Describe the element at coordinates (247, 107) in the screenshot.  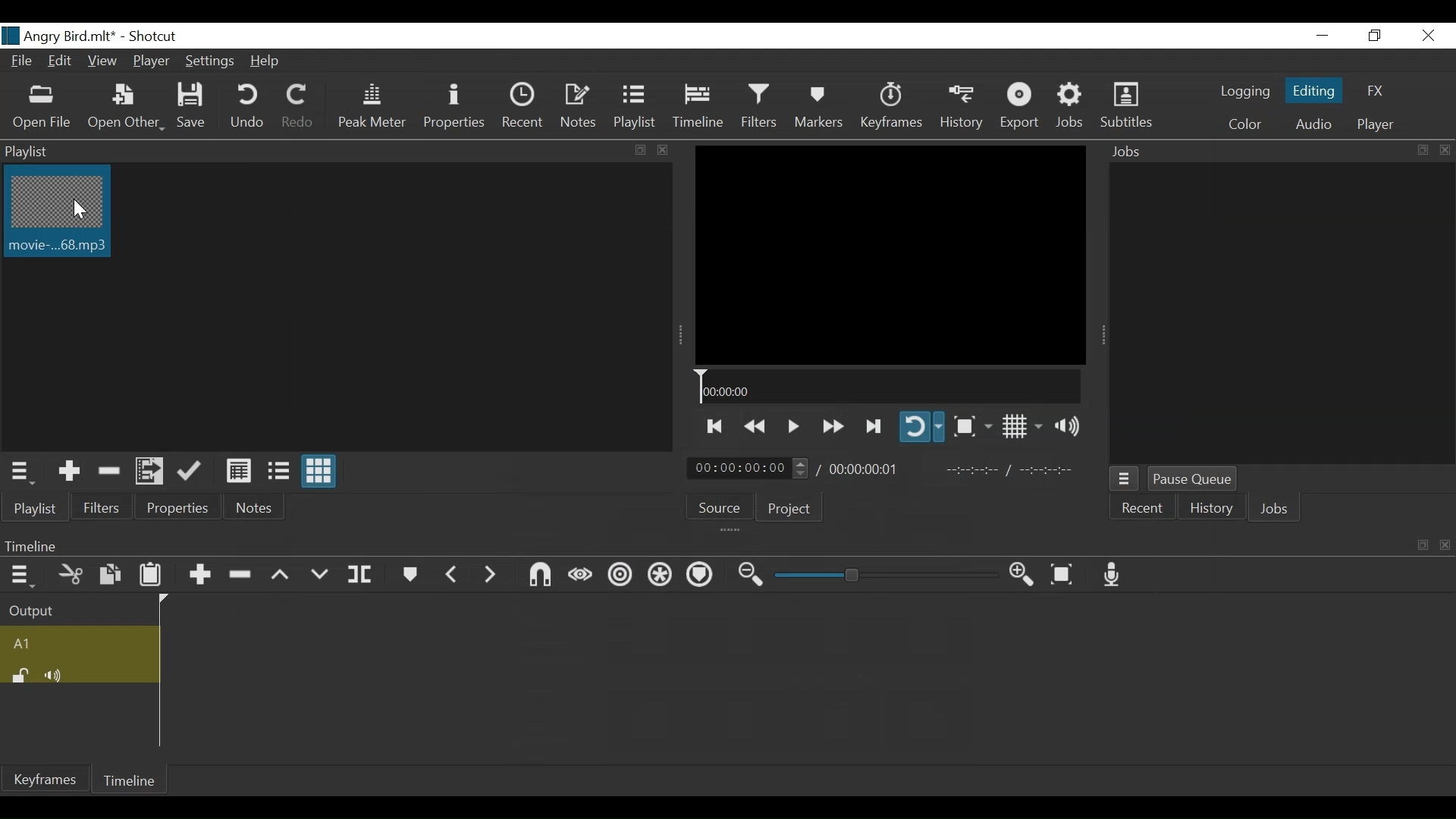
I see `Undo` at that location.